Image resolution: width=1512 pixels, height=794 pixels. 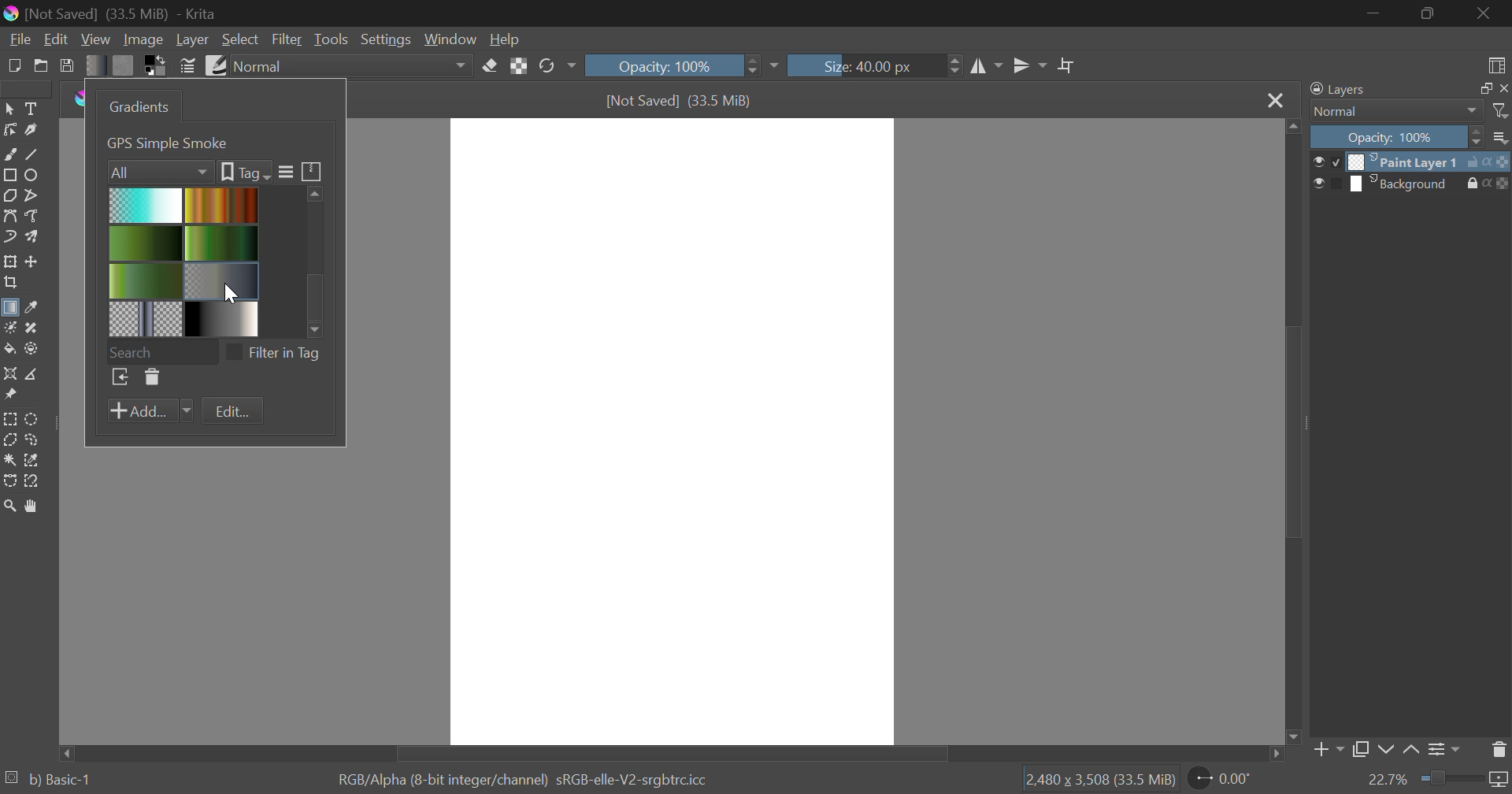 I want to click on Select, so click(x=240, y=39).